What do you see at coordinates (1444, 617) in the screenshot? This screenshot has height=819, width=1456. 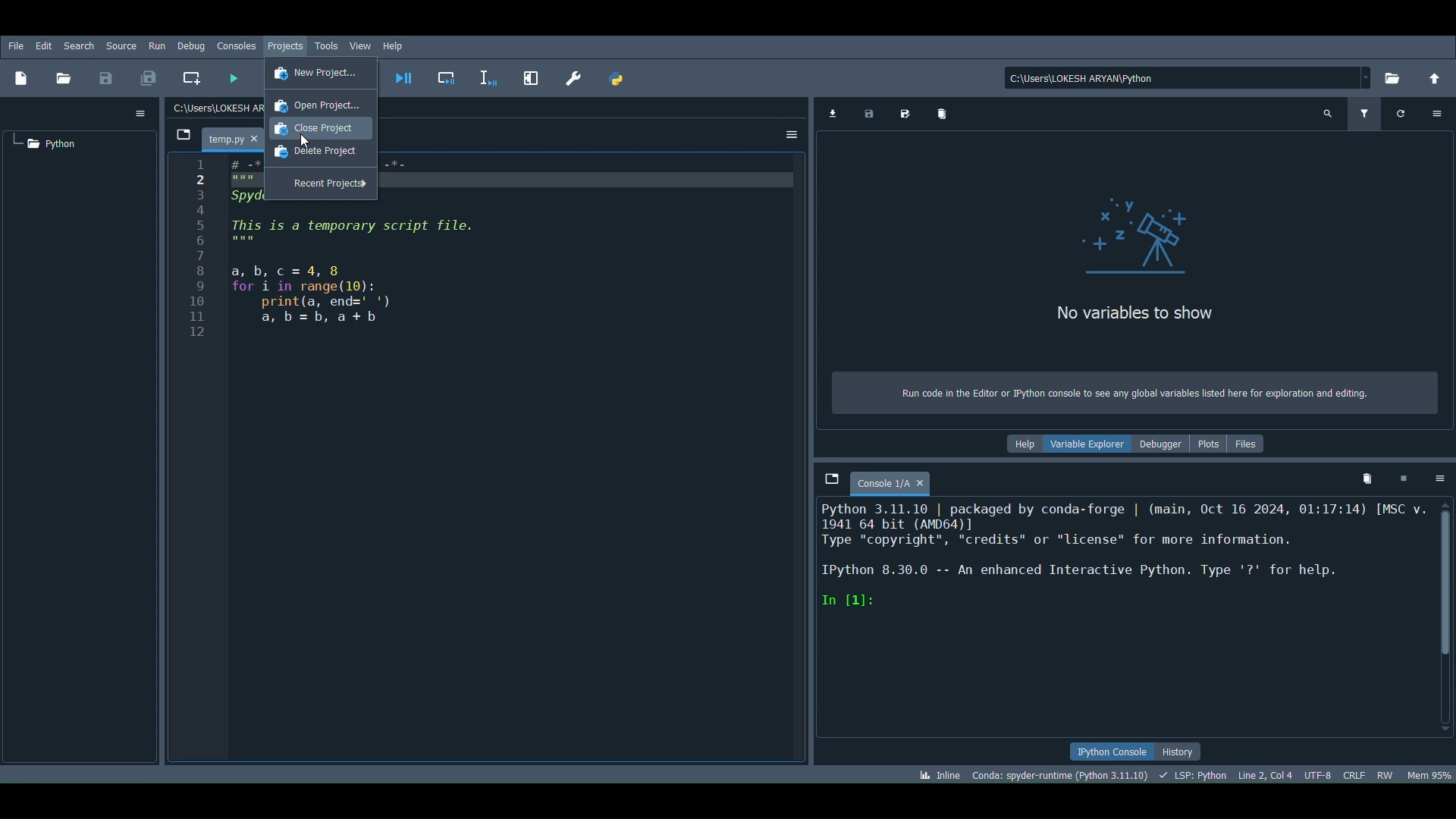 I see `Scrollbar` at bounding box center [1444, 617].